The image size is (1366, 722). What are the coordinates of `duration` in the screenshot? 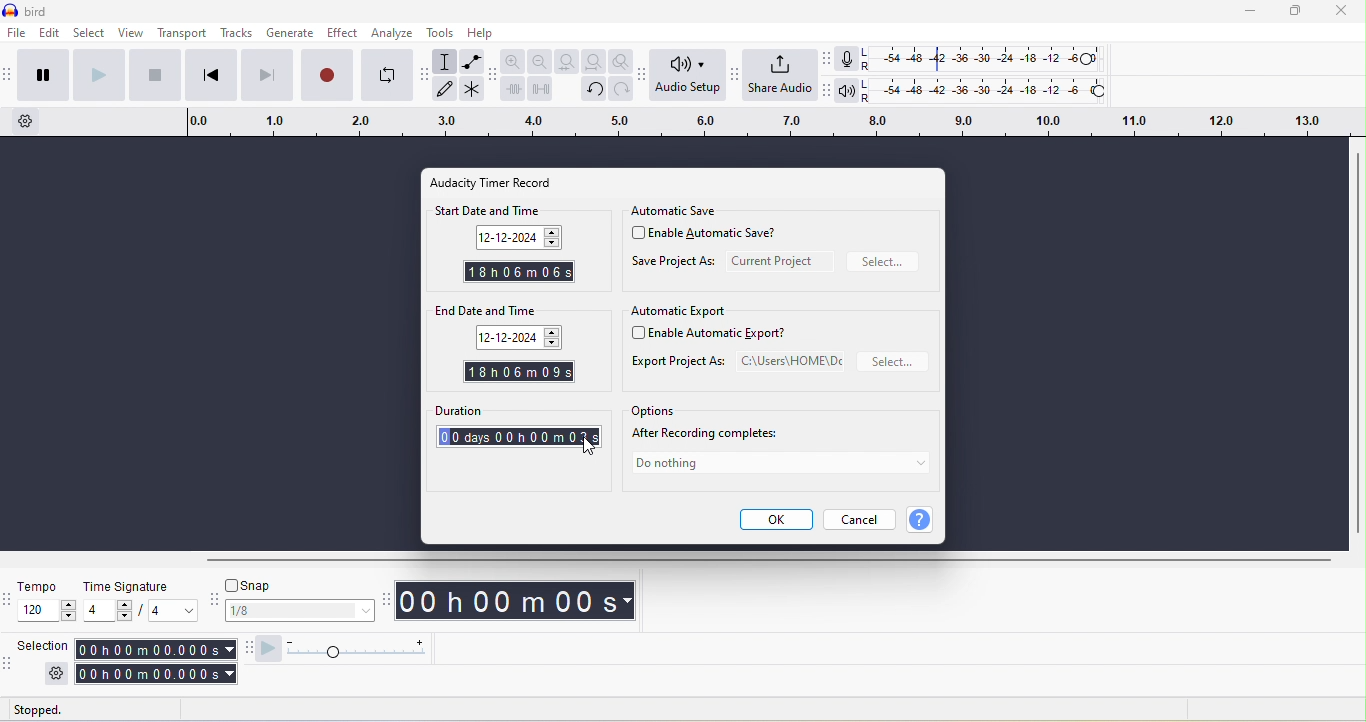 It's located at (518, 410).